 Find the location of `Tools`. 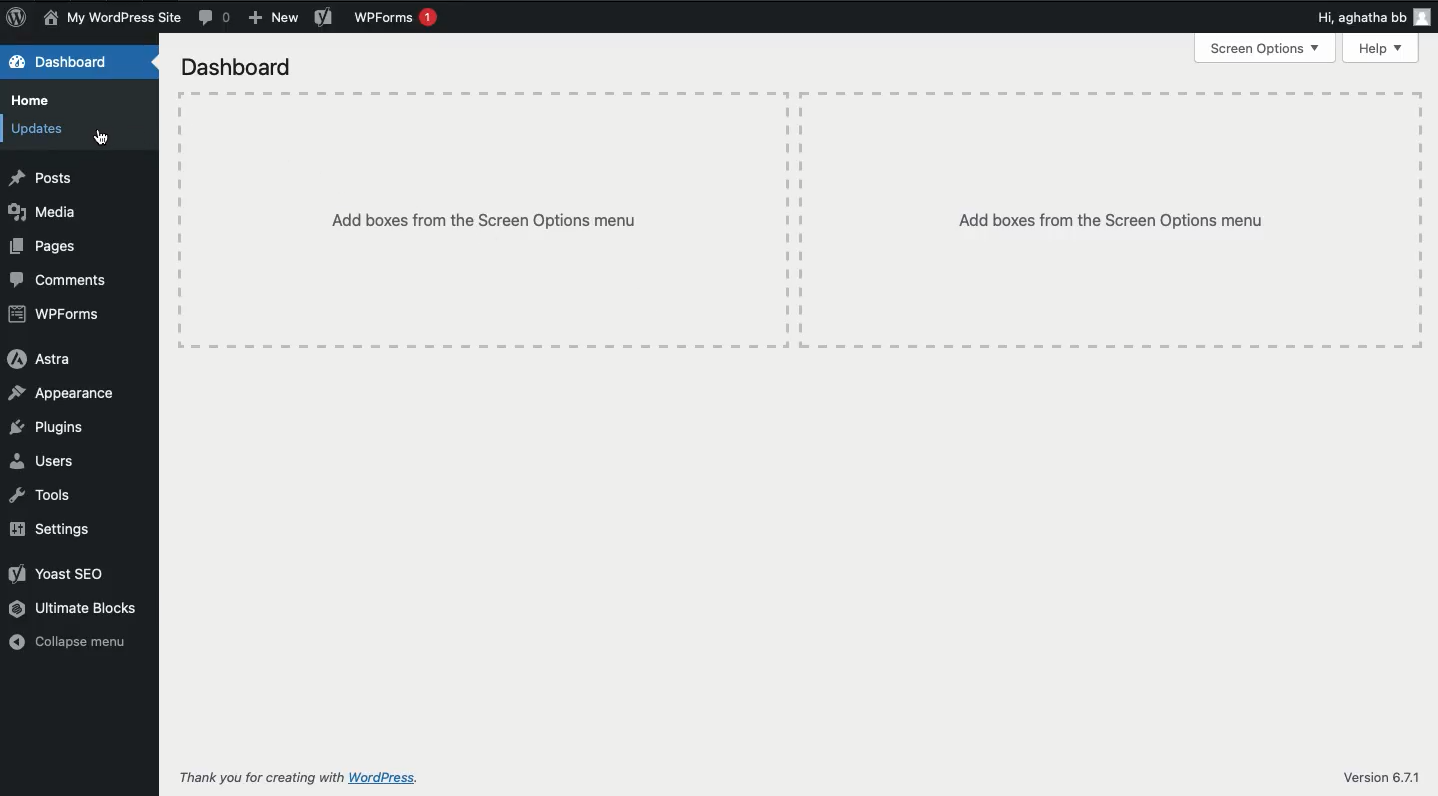

Tools is located at coordinates (44, 495).